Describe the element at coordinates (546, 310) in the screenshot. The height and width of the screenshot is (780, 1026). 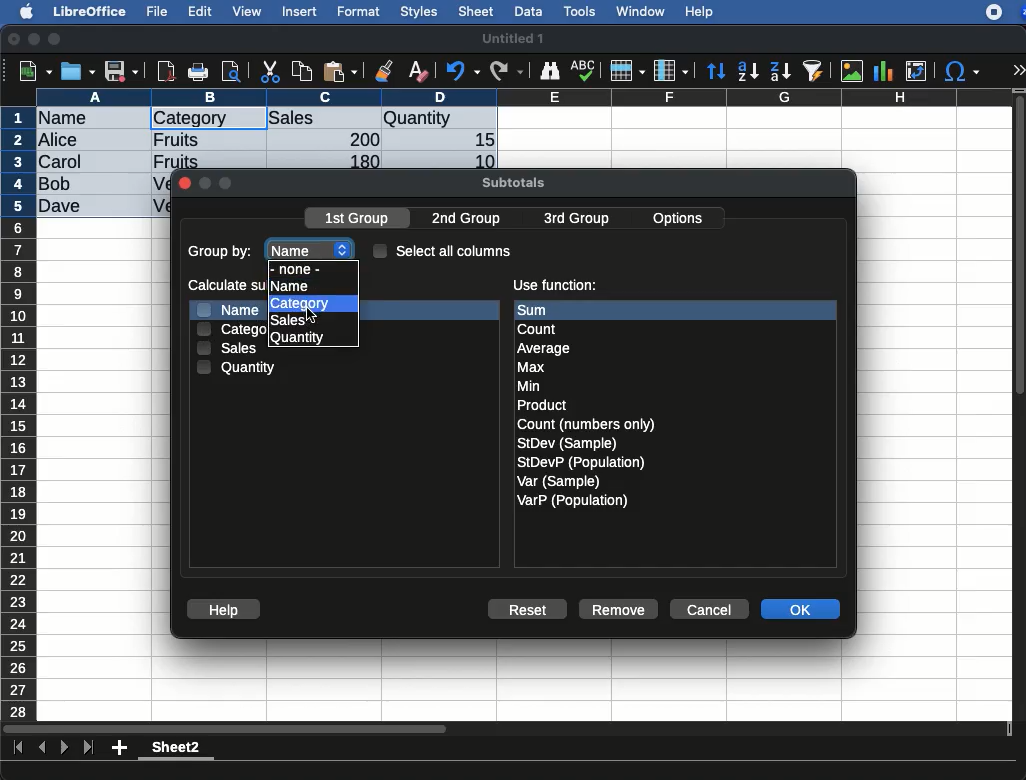
I see `Sum` at that location.